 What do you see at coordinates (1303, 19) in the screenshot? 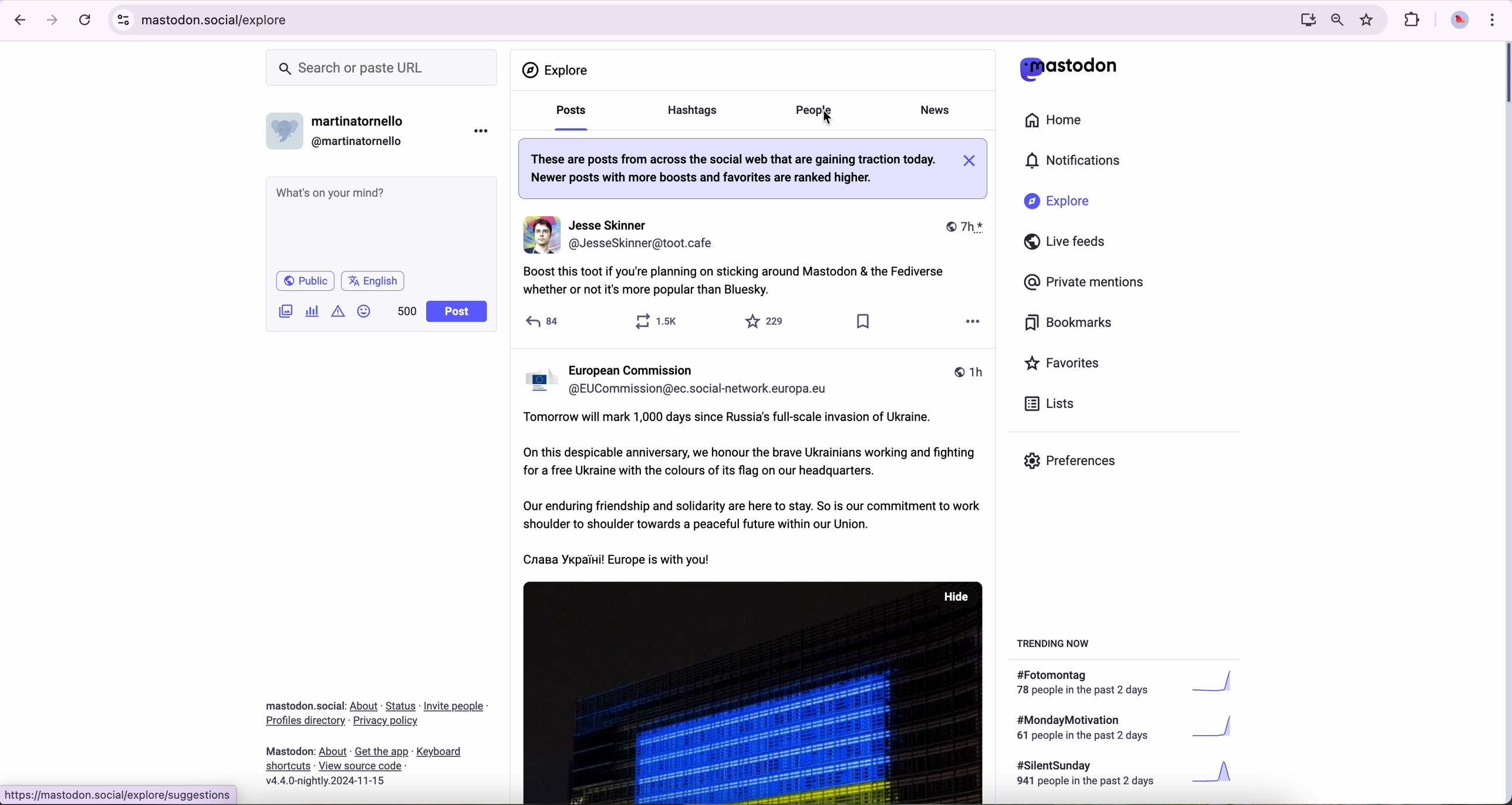
I see `computer` at bounding box center [1303, 19].